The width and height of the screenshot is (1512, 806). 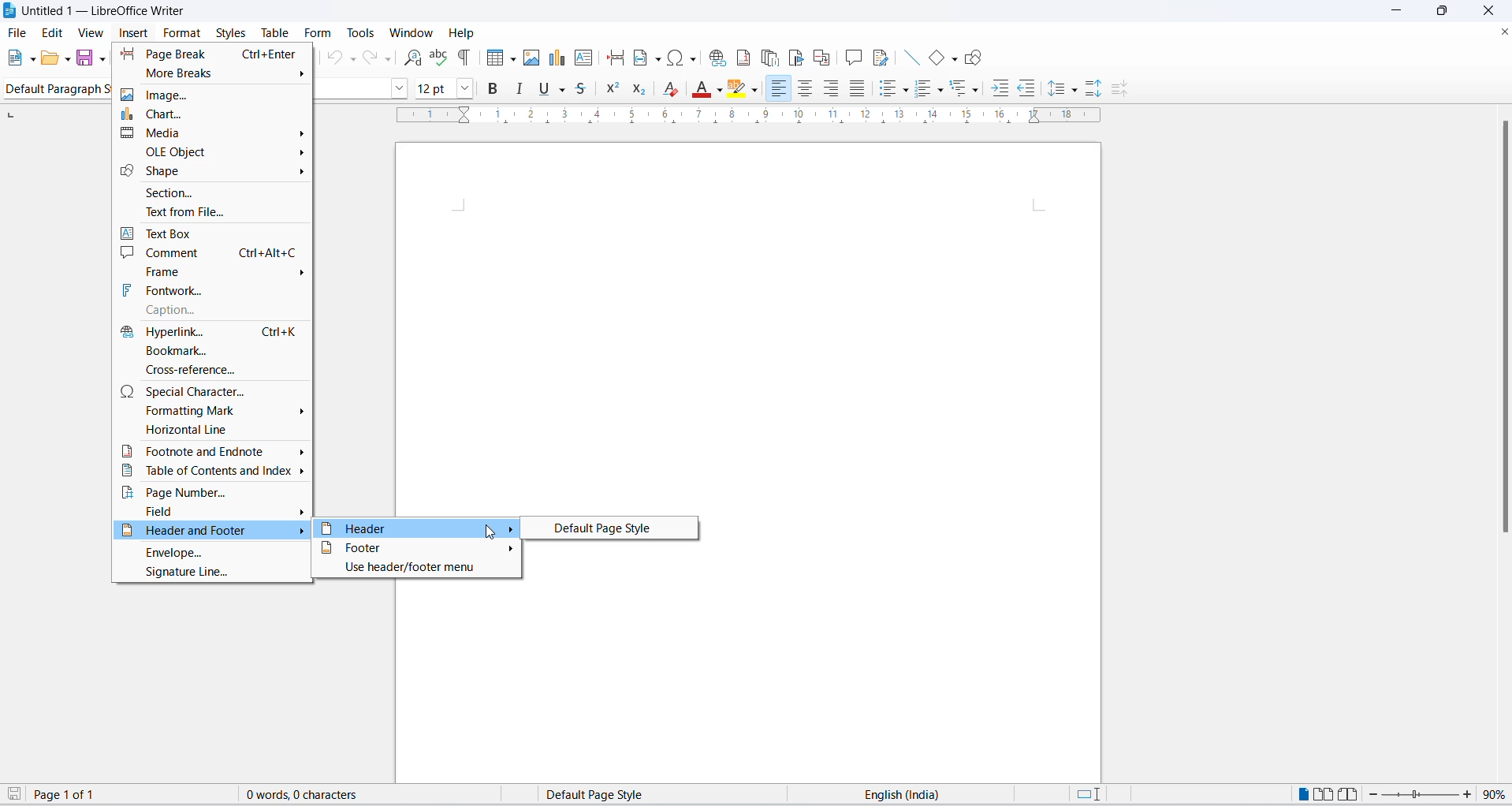 I want to click on save options, so click(x=102, y=59).